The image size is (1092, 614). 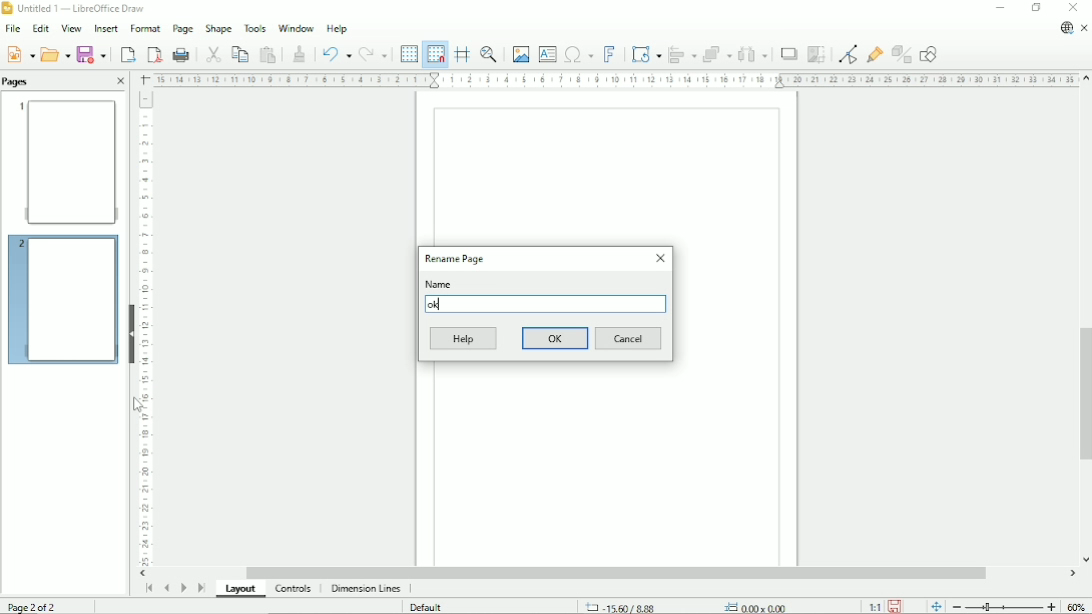 What do you see at coordinates (183, 588) in the screenshot?
I see `Scroll to next page` at bounding box center [183, 588].